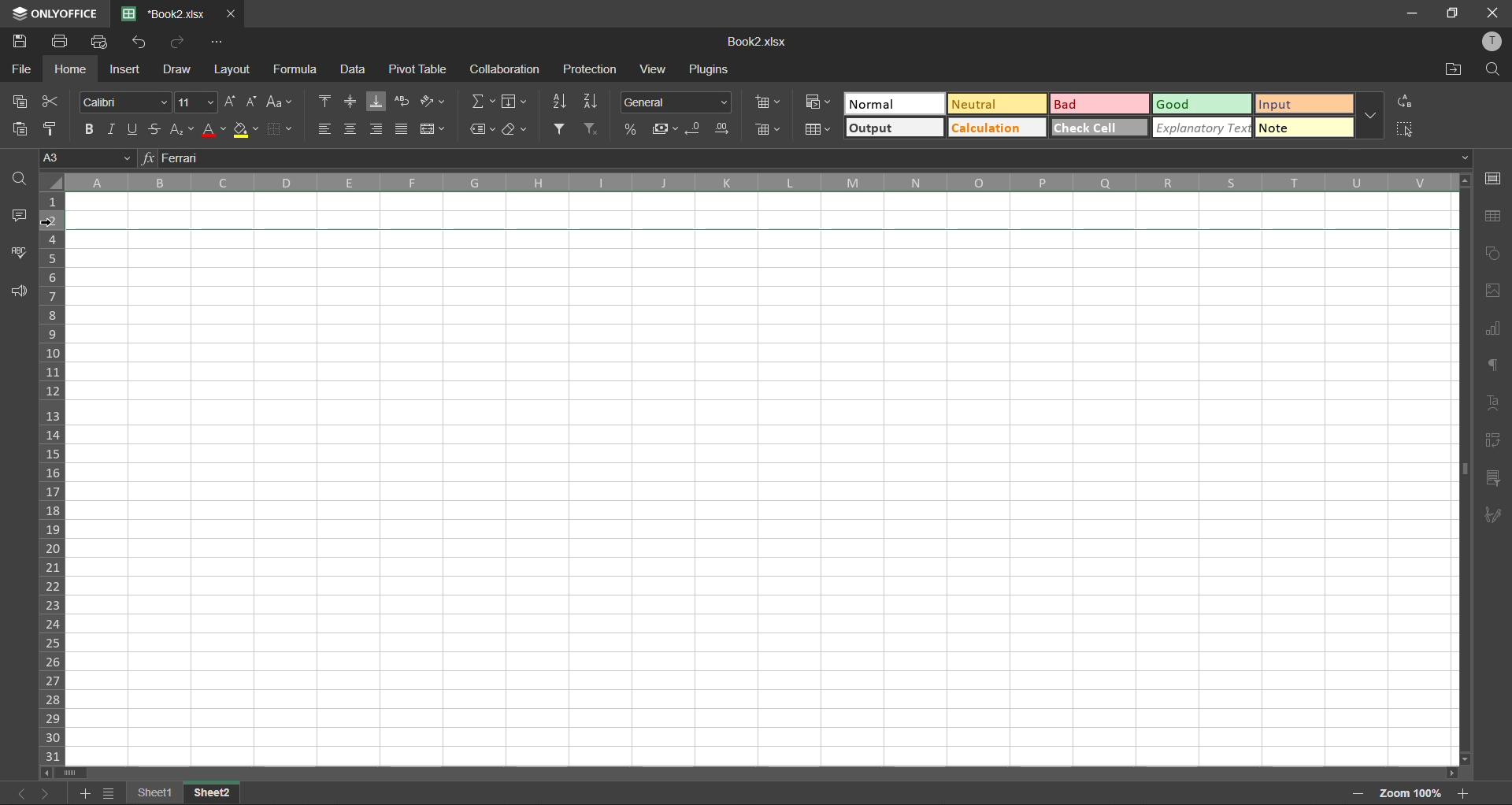 The height and width of the screenshot is (805, 1512). Describe the element at coordinates (1403, 102) in the screenshot. I see `replace` at that location.